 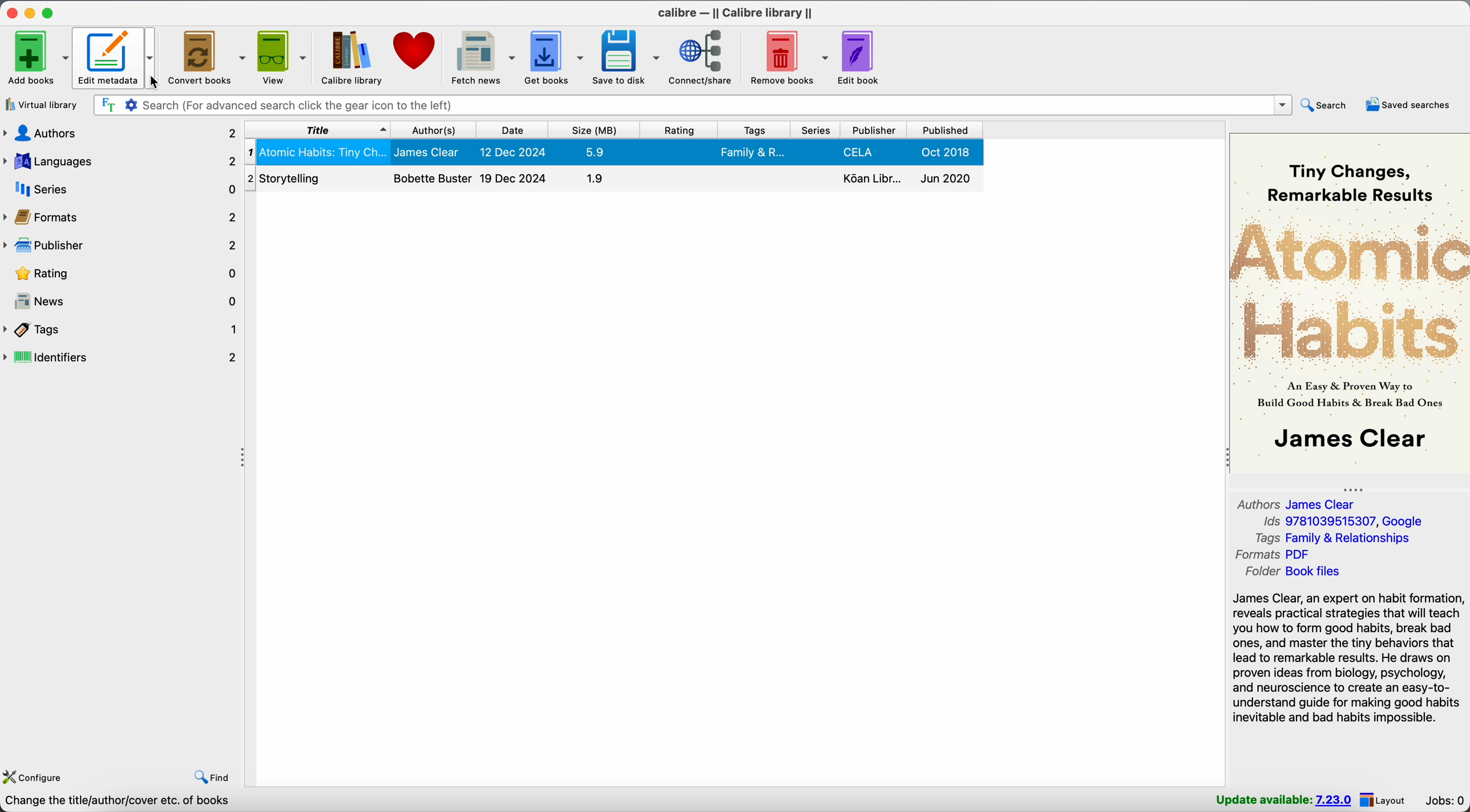 What do you see at coordinates (112, 58) in the screenshot?
I see `edit metadata` at bounding box center [112, 58].